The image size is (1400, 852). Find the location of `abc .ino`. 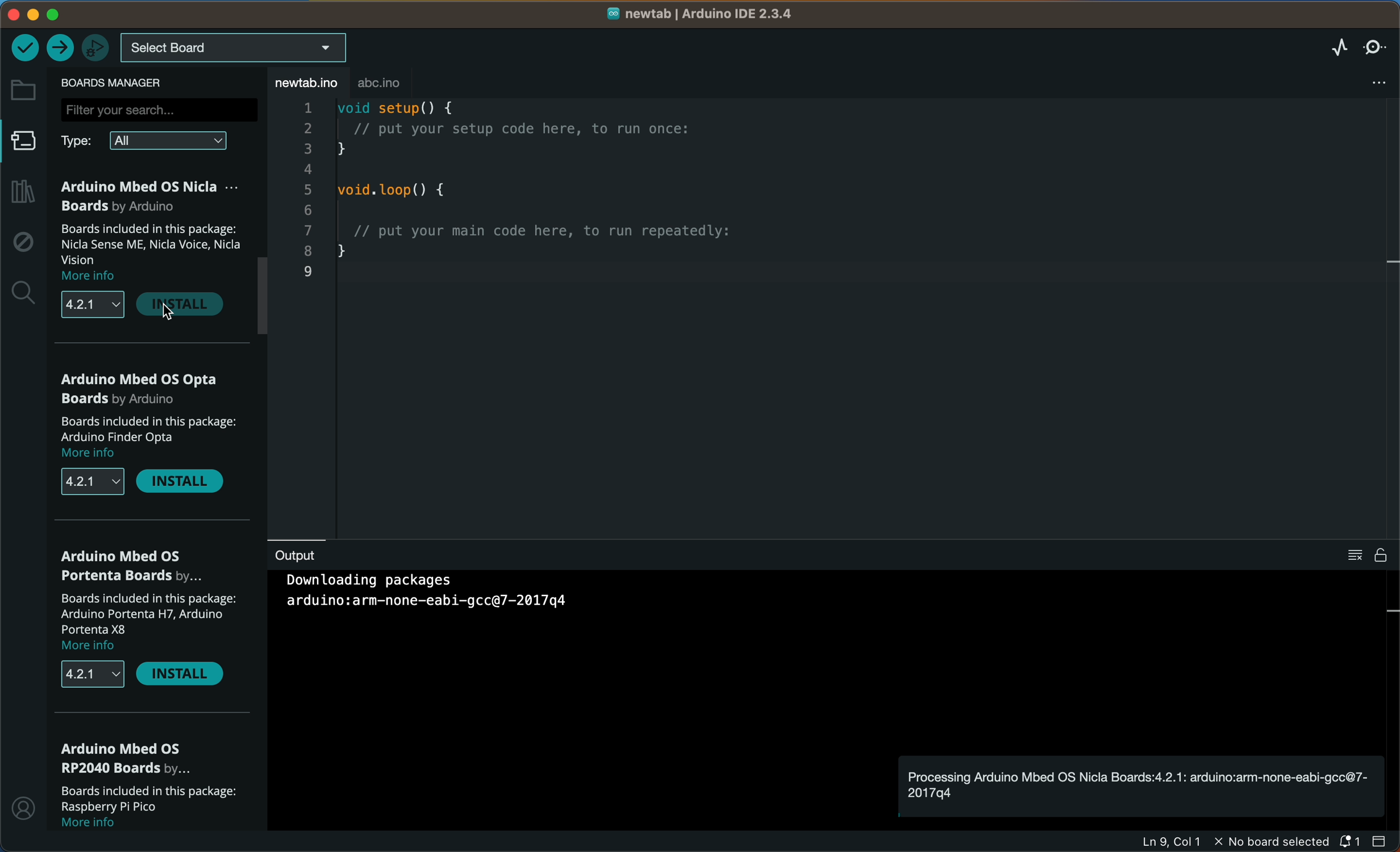

abc .ino is located at coordinates (398, 84).